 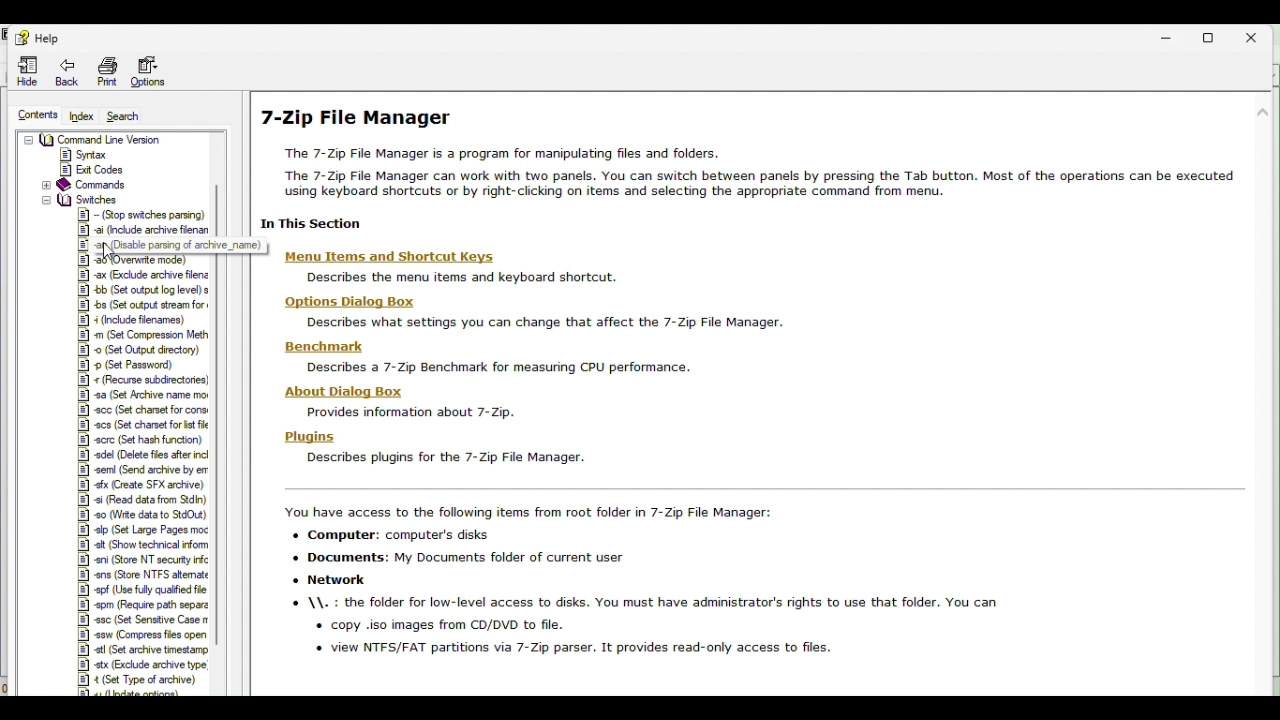 What do you see at coordinates (154, 72) in the screenshot?
I see `Options` at bounding box center [154, 72].